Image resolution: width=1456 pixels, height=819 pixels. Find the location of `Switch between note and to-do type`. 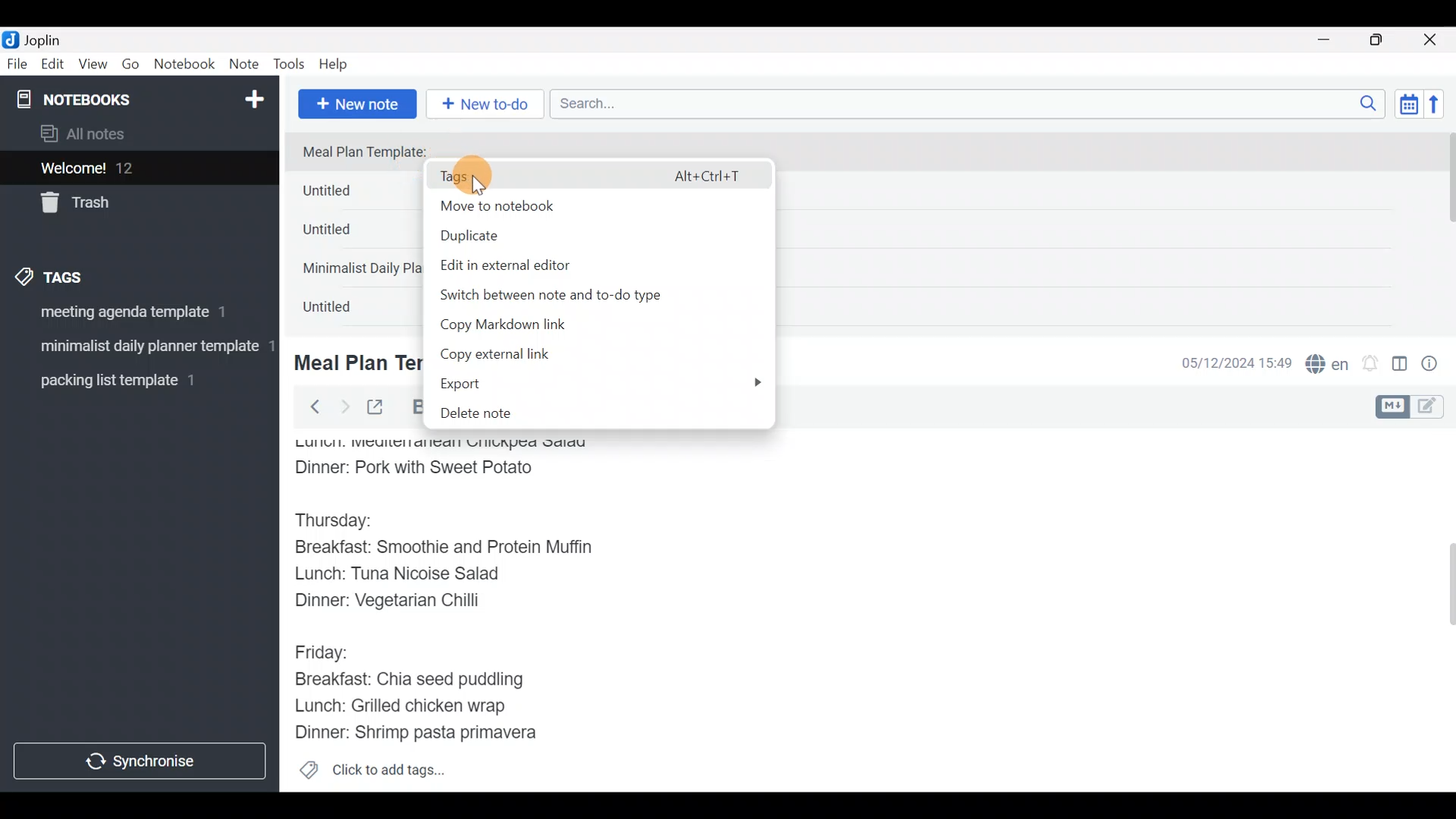

Switch between note and to-do type is located at coordinates (570, 296).